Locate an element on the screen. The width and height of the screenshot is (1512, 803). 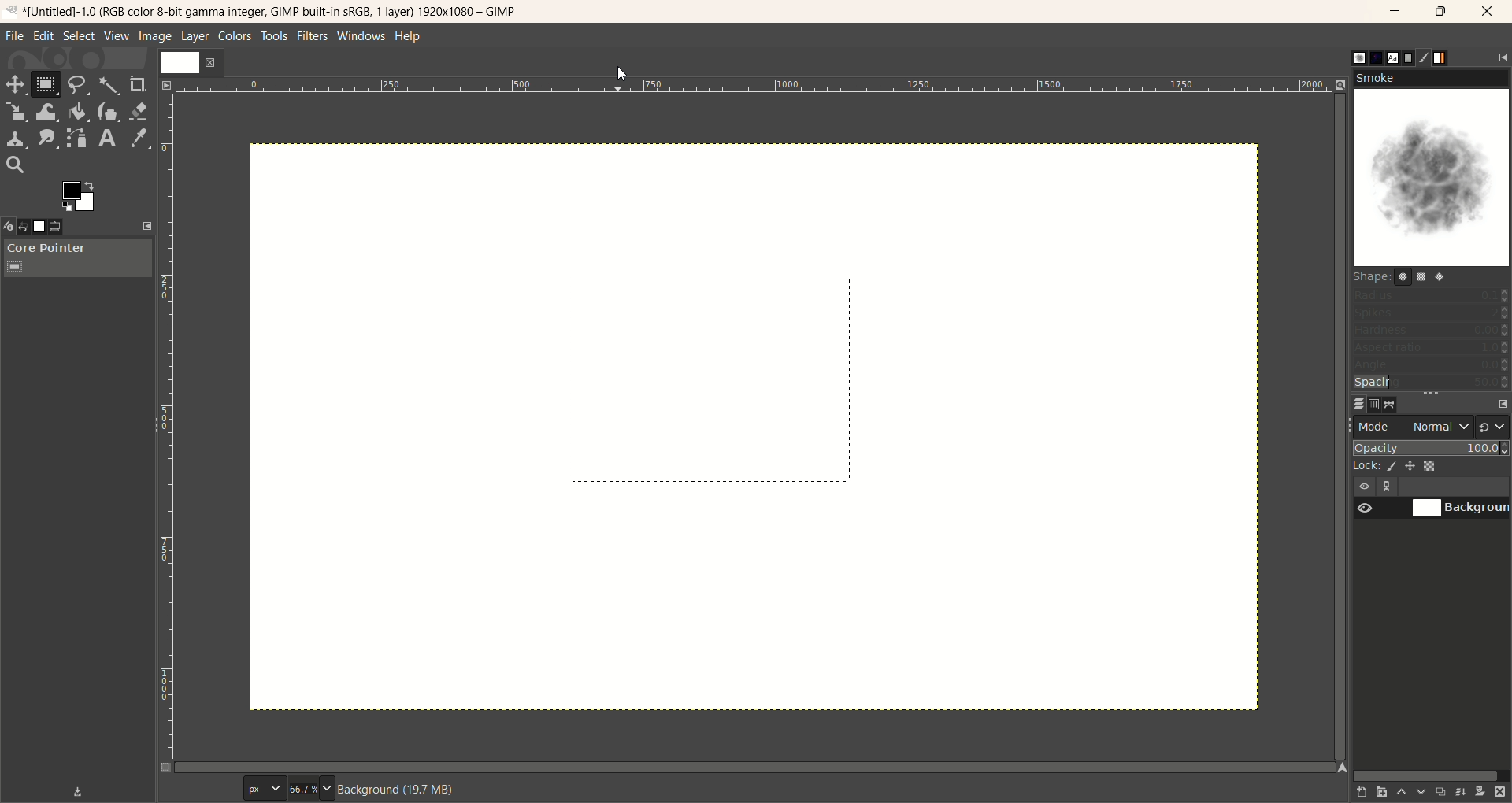
add a mask is located at coordinates (1479, 794).